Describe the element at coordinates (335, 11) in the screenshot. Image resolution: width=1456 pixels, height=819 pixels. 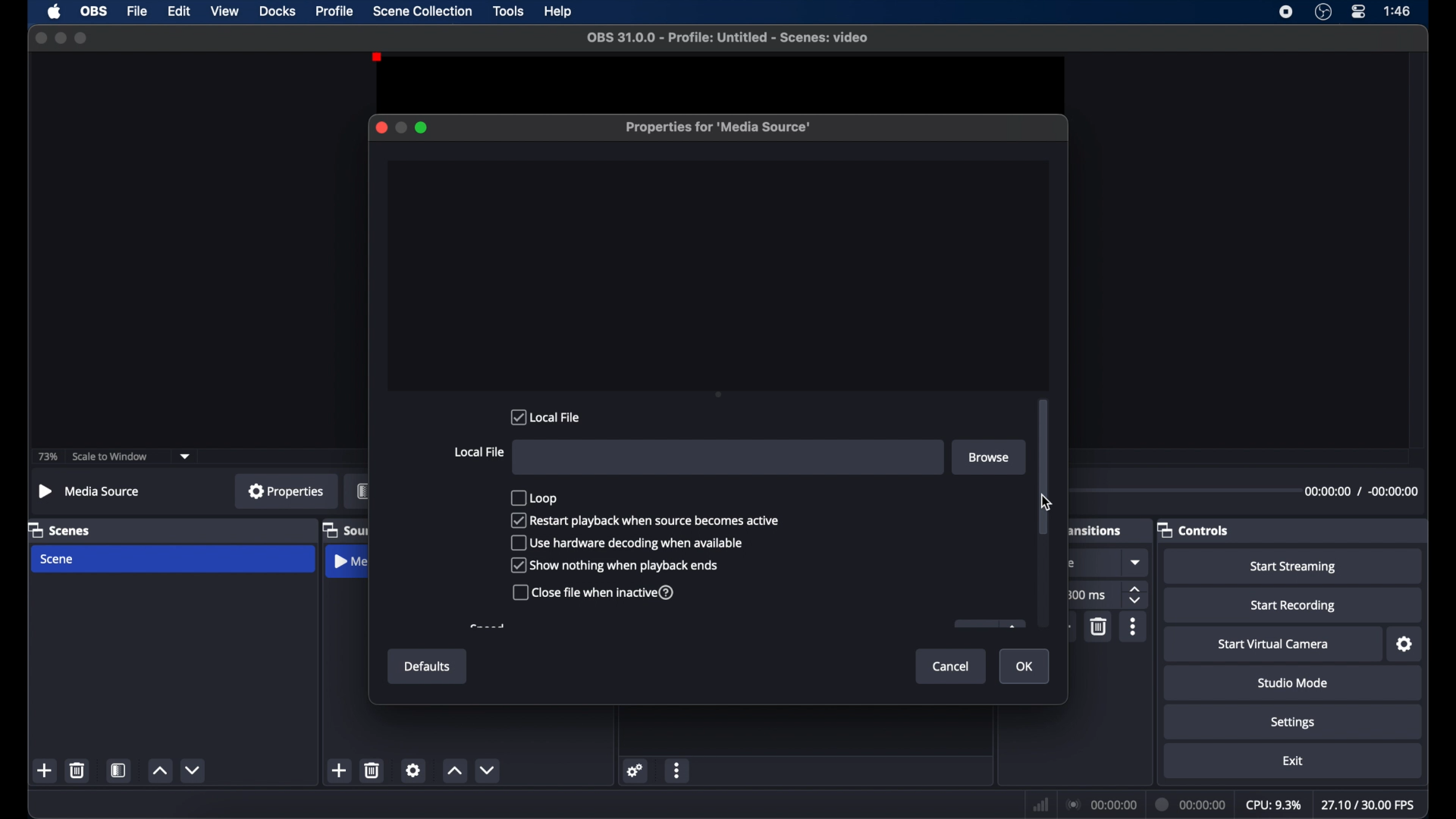
I see `profile` at that location.